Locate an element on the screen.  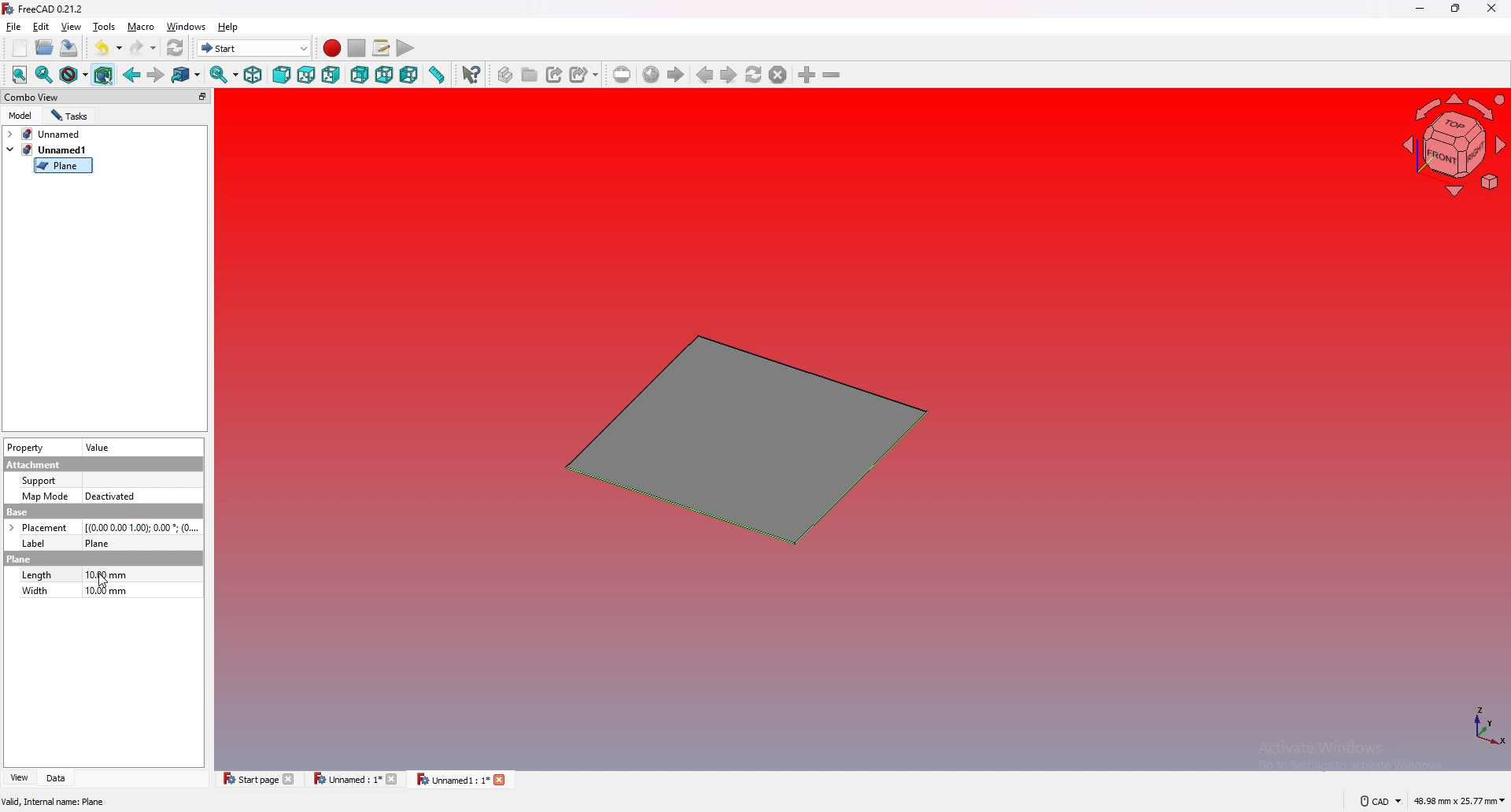
left is located at coordinates (409, 76).